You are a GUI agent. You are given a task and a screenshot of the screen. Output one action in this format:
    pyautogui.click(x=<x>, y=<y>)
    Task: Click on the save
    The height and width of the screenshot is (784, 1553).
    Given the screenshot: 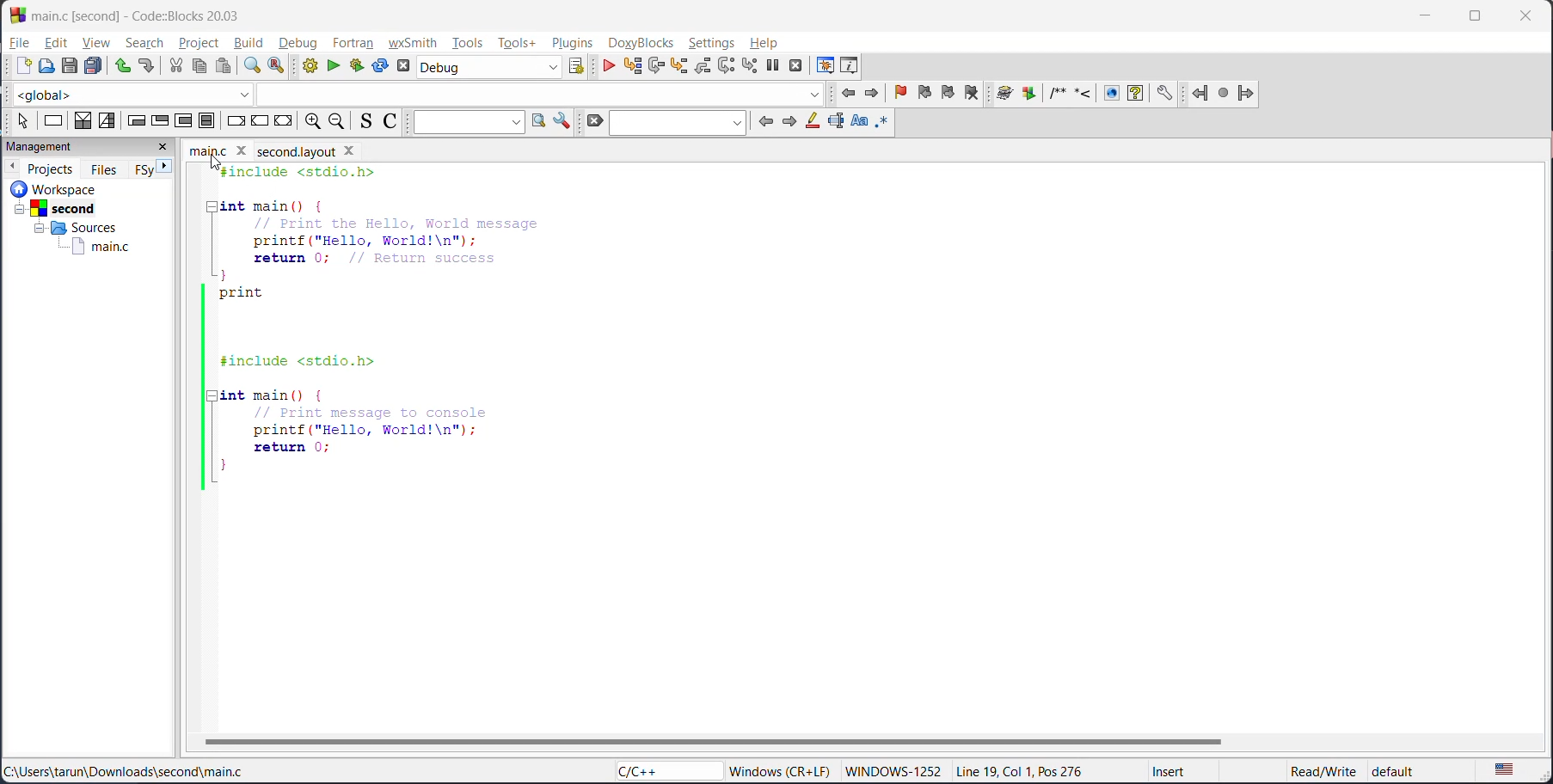 What is the action you would take?
    pyautogui.click(x=67, y=65)
    